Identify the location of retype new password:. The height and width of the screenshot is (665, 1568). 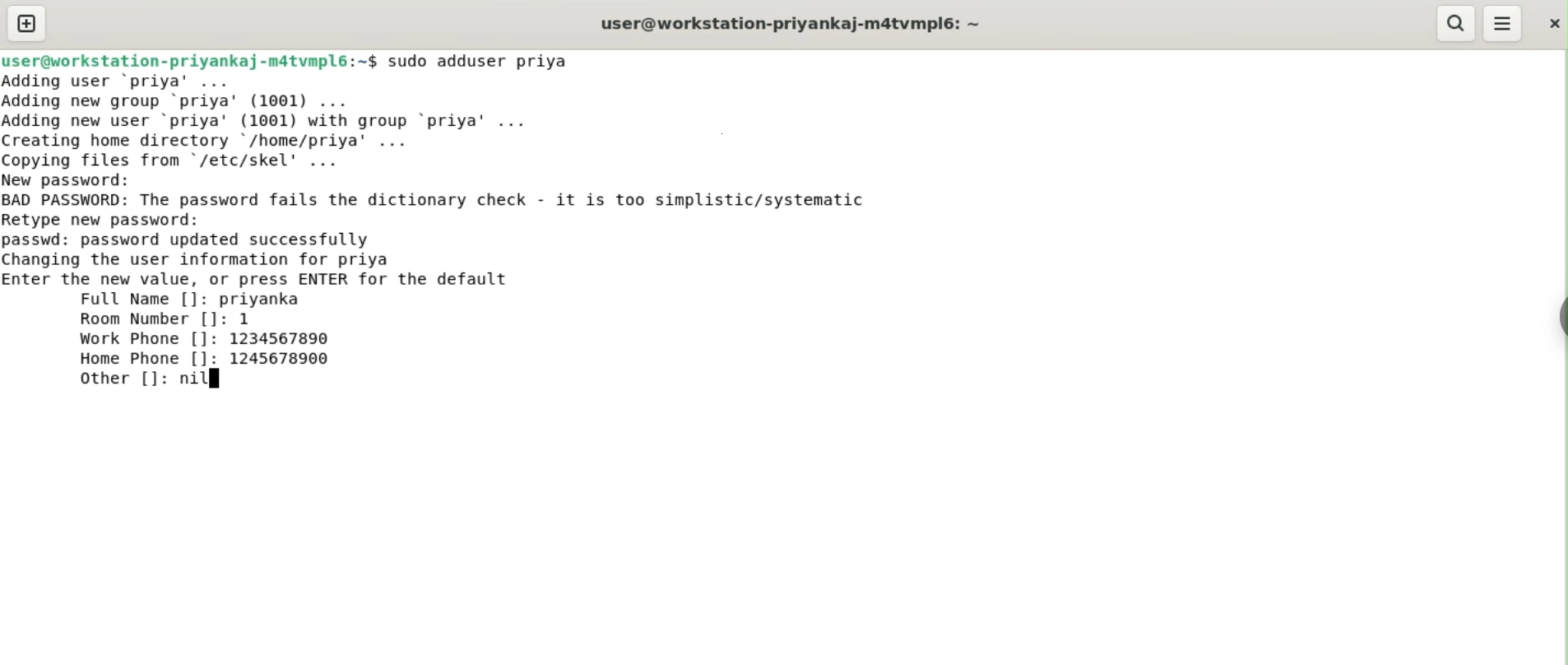
(114, 219).